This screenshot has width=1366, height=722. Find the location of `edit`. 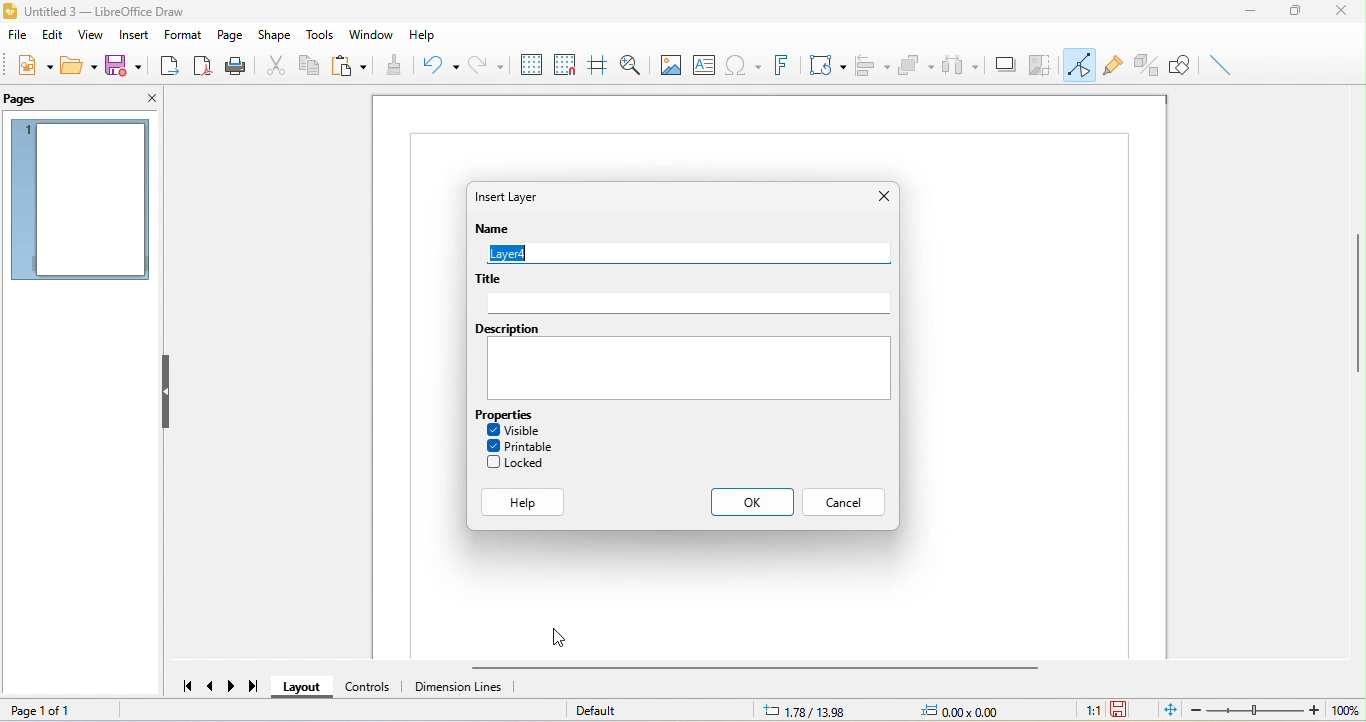

edit is located at coordinates (53, 37).